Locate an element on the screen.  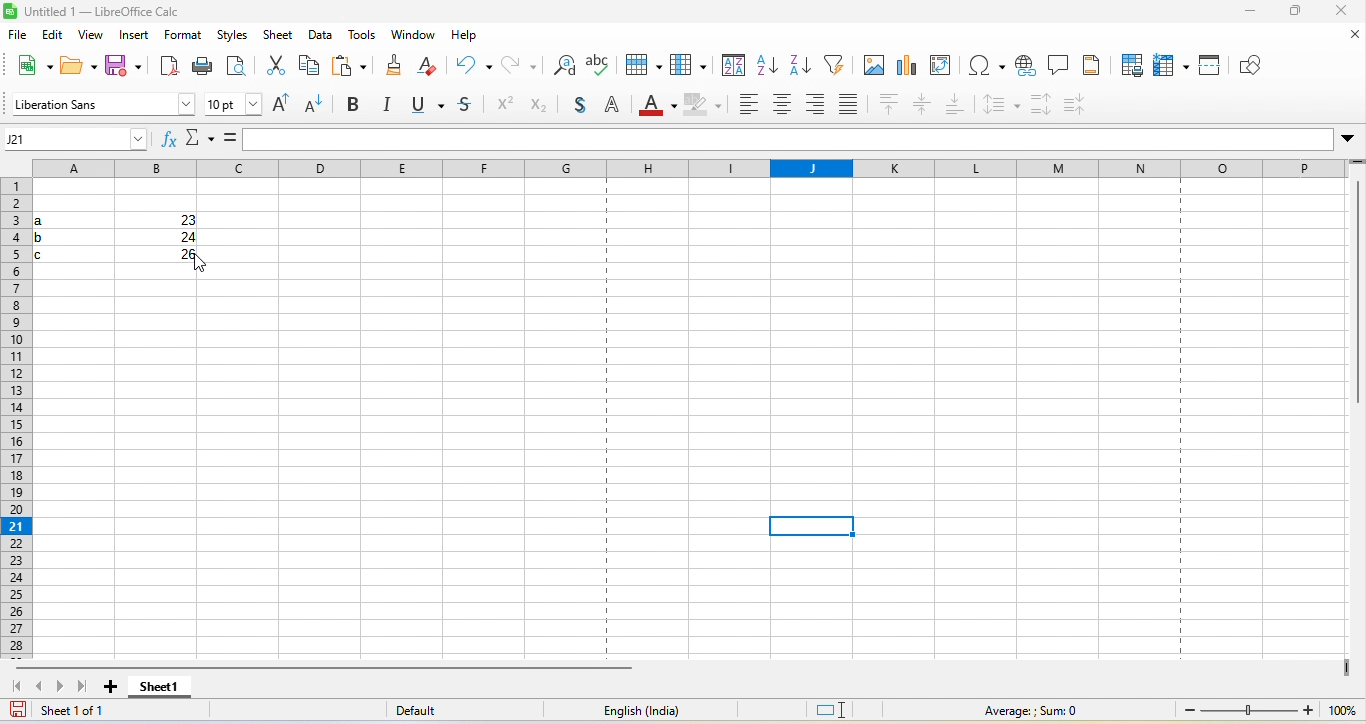
26 is located at coordinates (174, 255).